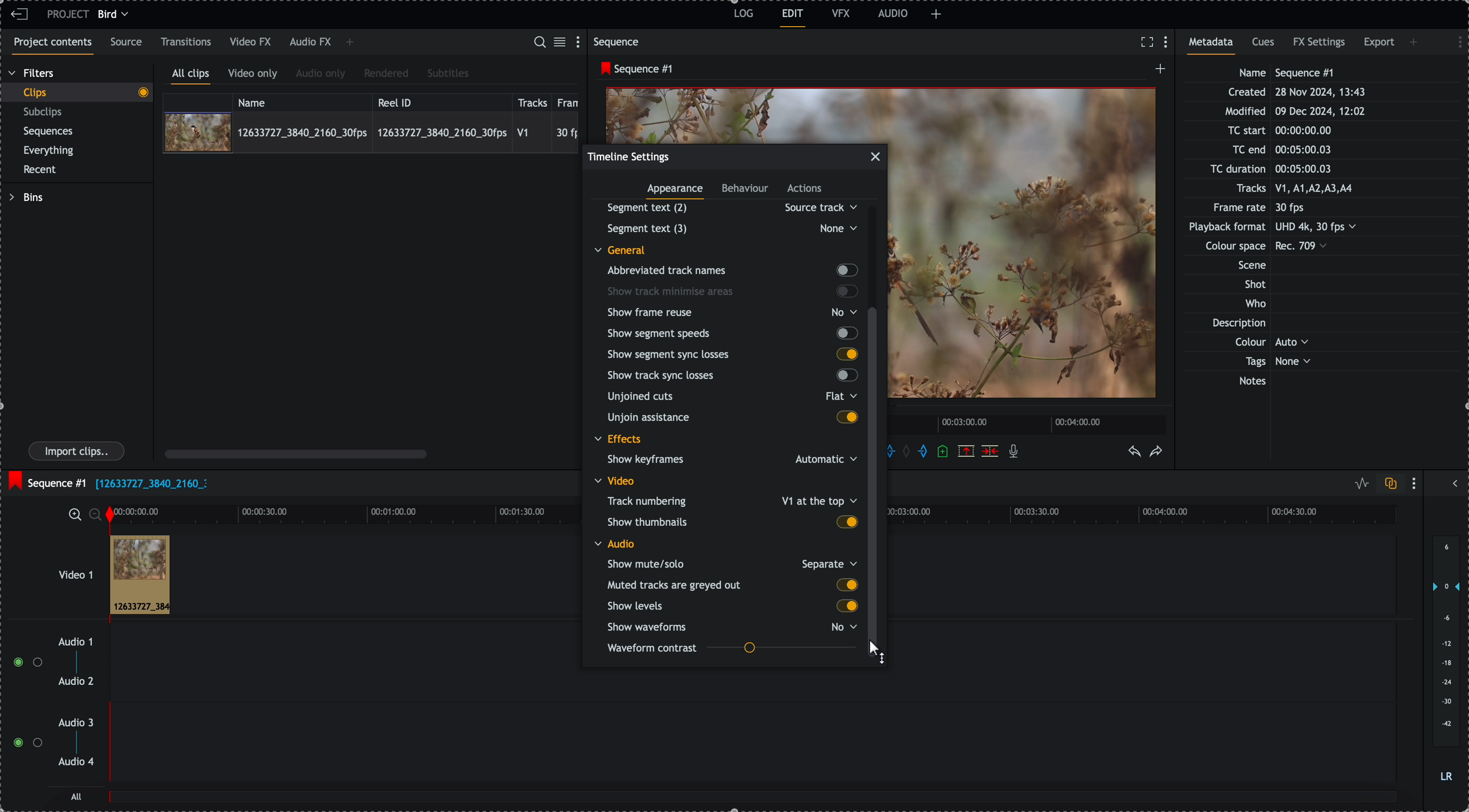  Describe the element at coordinates (618, 481) in the screenshot. I see `video` at that location.